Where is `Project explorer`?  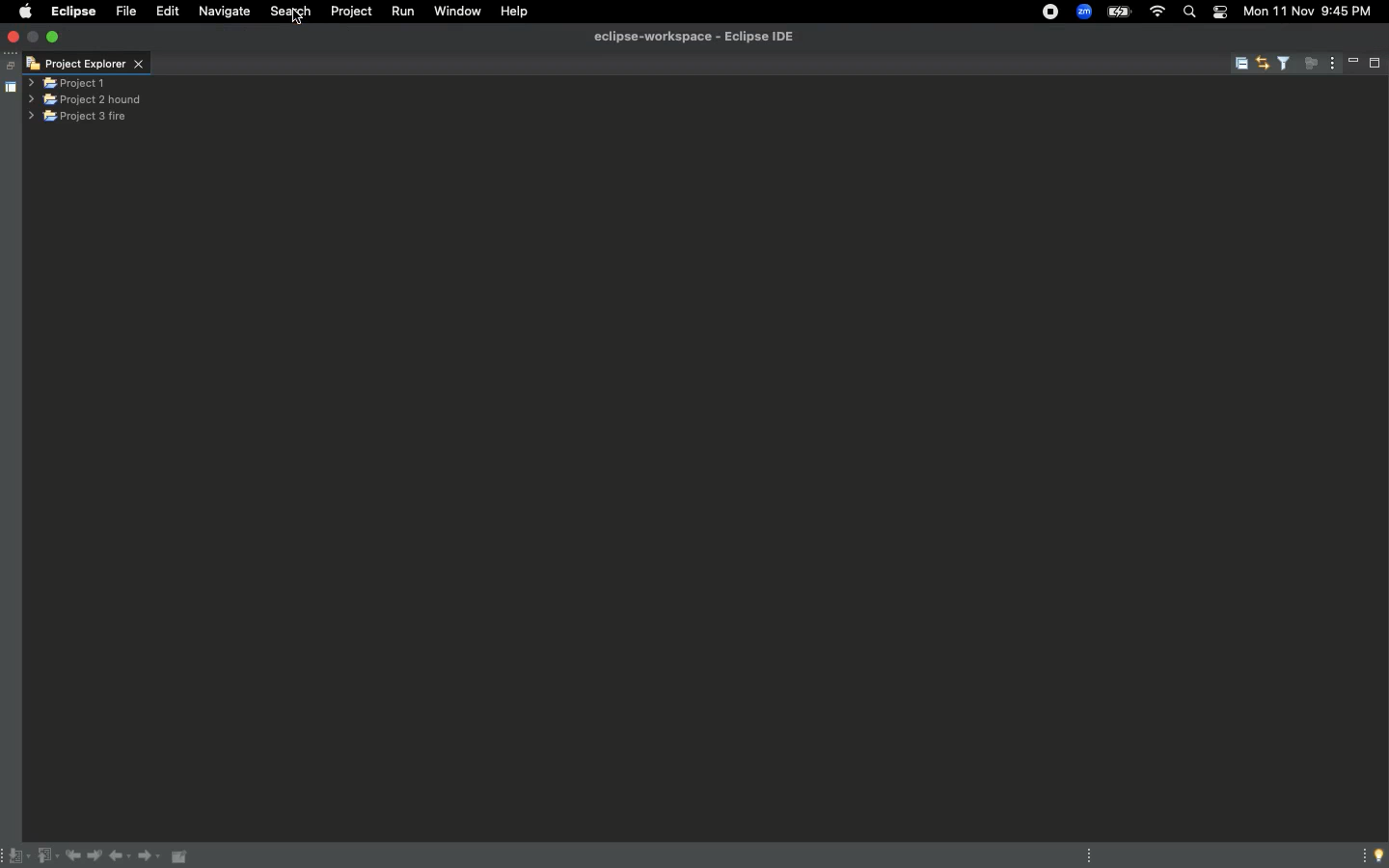 Project explorer is located at coordinates (86, 63).